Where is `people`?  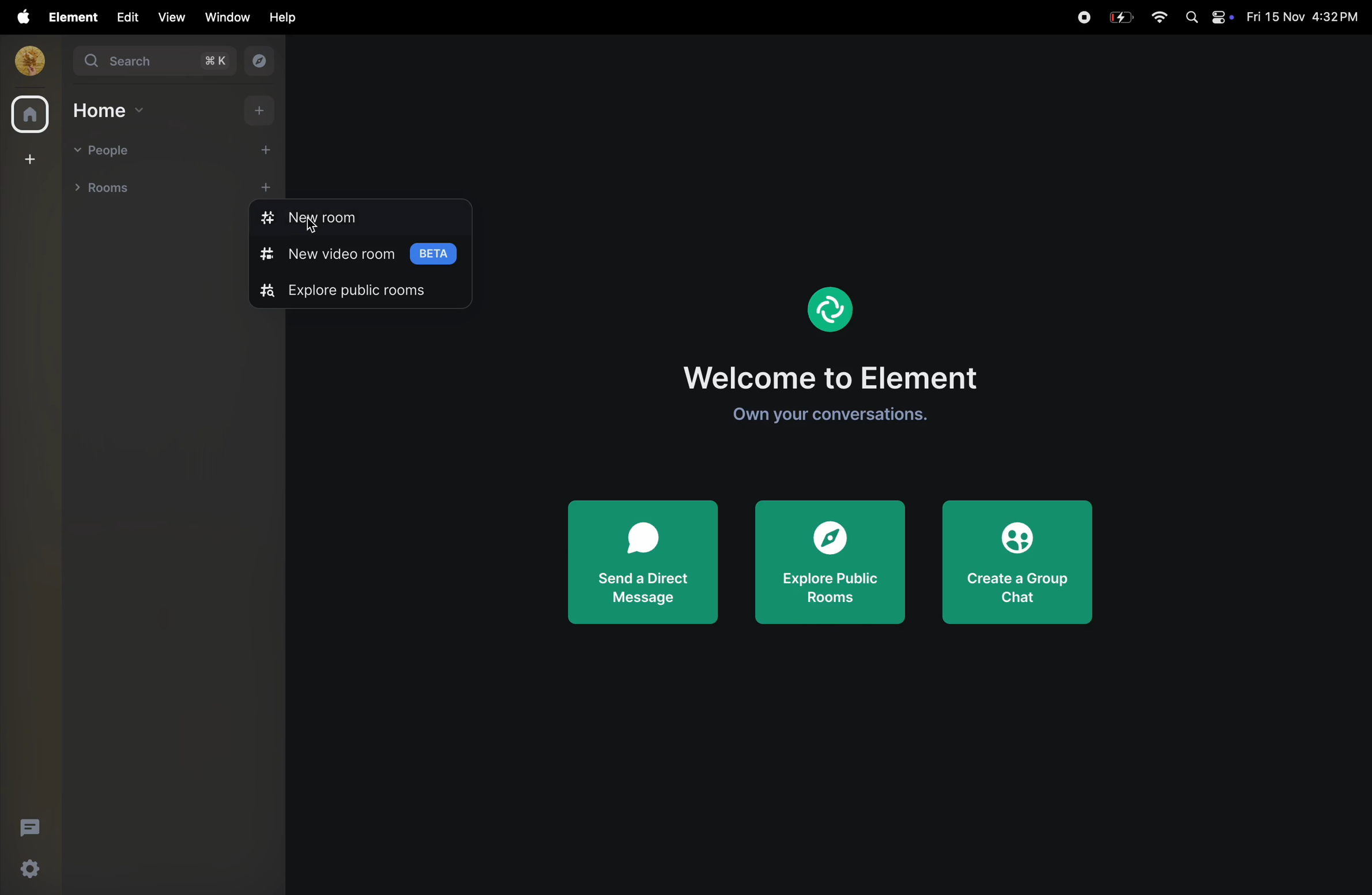
people is located at coordinates (105, 149).